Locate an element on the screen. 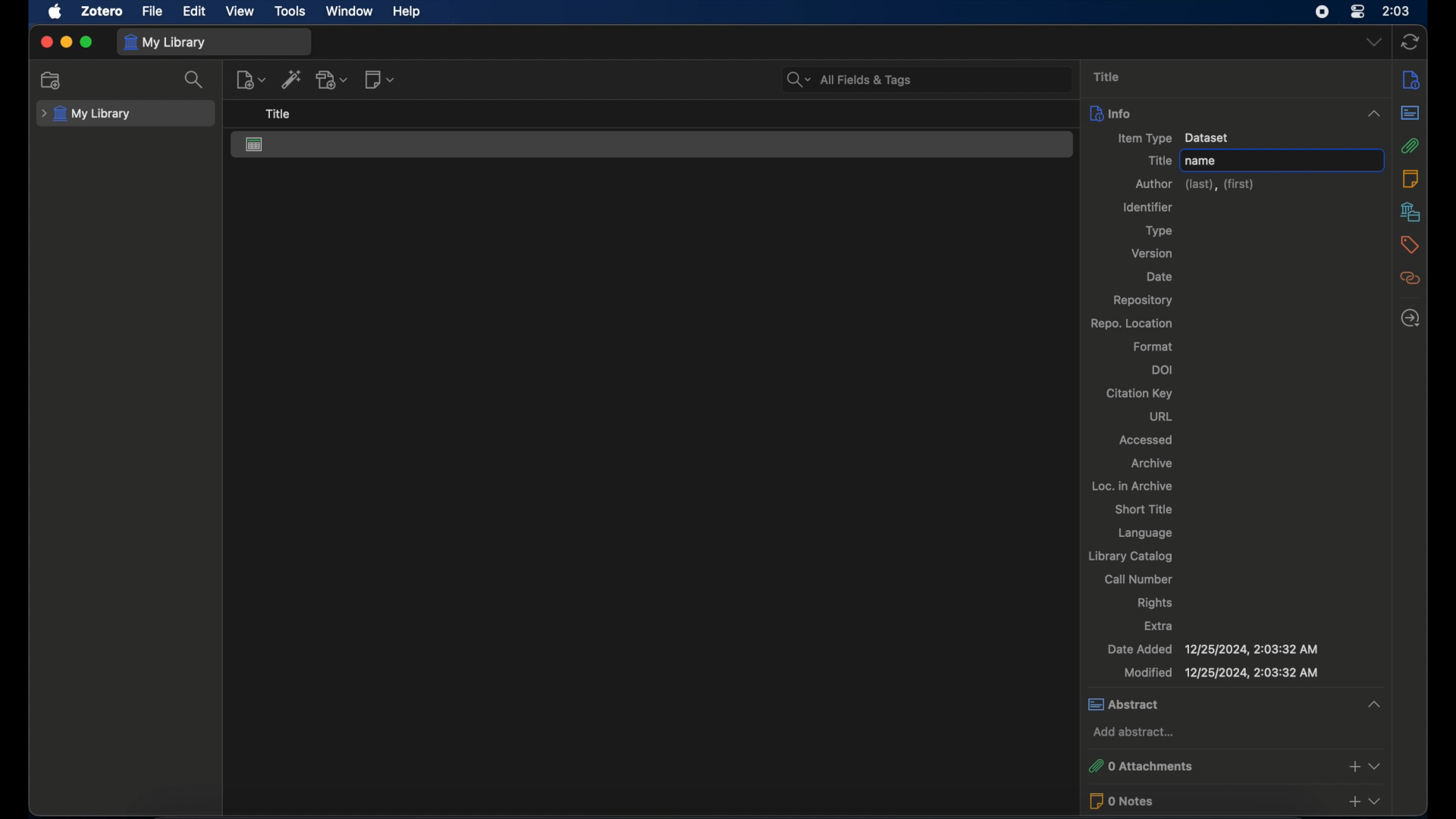 The height and width of the screenshot is (819, 1456). edit is located at coordinates (194, 12).